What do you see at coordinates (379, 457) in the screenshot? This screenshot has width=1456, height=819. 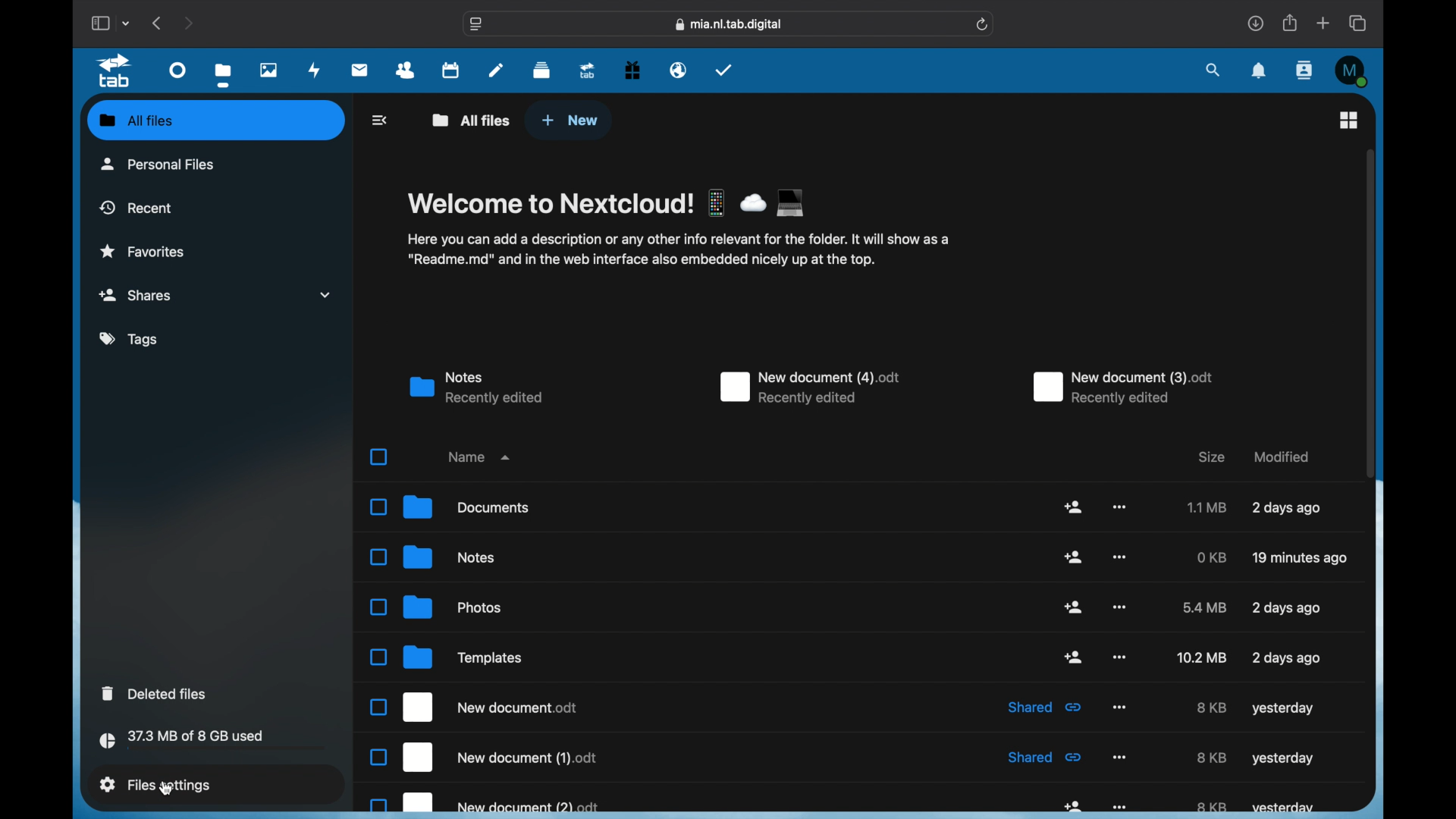 I see `checkbox` at bounding box center [379, 457].